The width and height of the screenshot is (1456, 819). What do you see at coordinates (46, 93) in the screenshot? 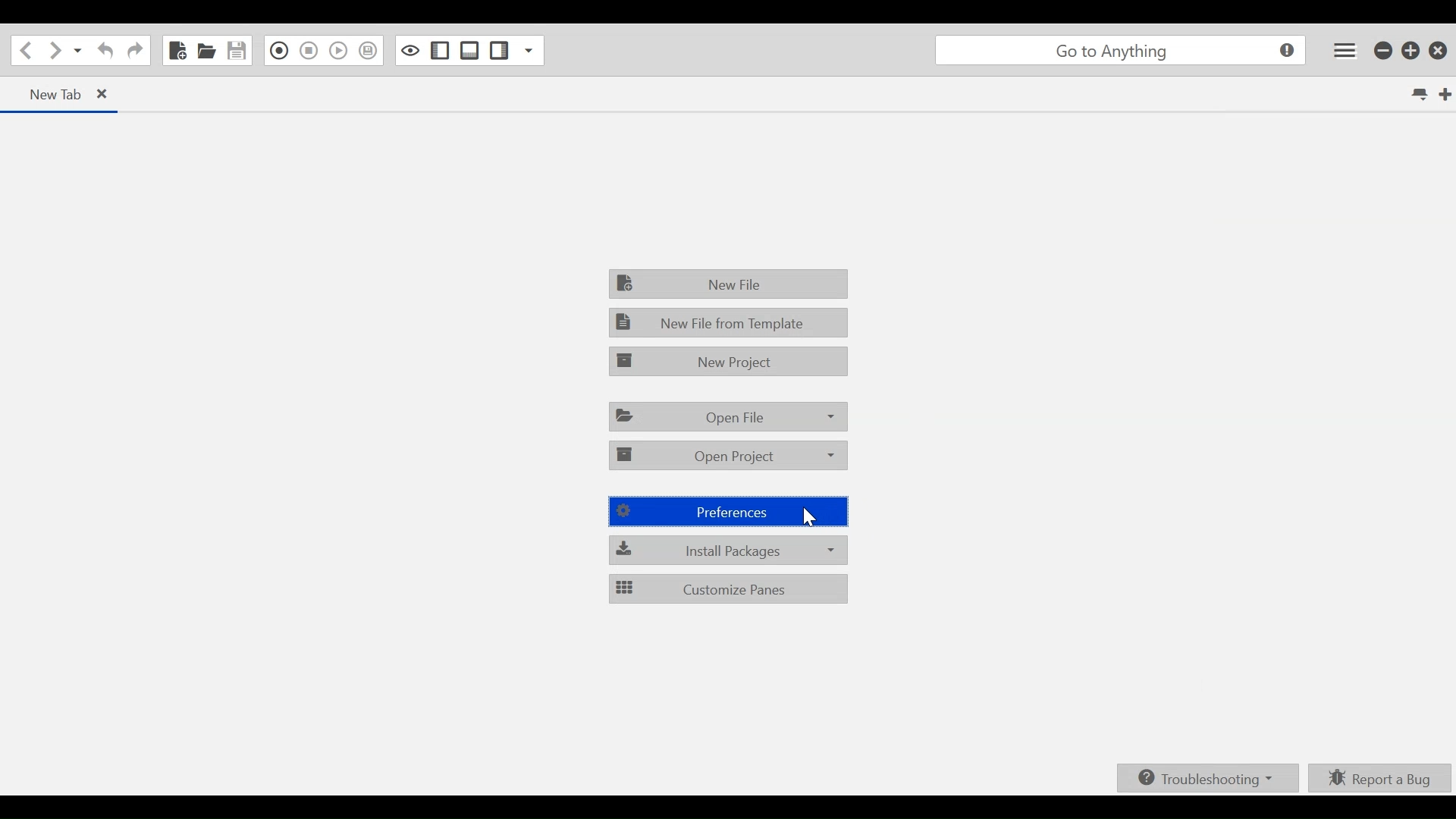
I see `New Tab` at bounding box center [46, 93].